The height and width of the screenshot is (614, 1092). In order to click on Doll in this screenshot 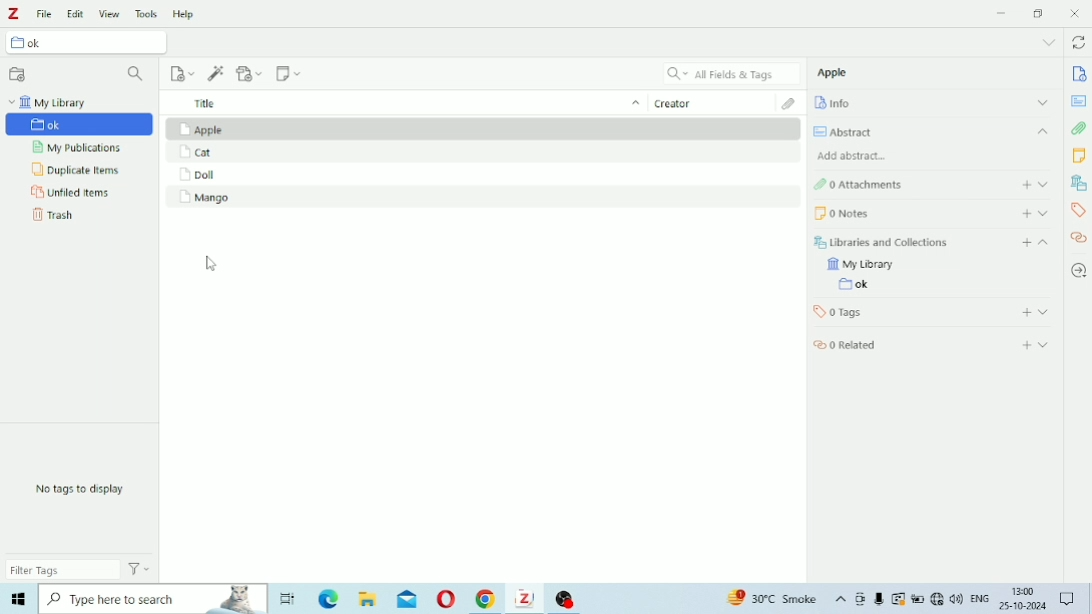, I will do `click(206, 175)`.